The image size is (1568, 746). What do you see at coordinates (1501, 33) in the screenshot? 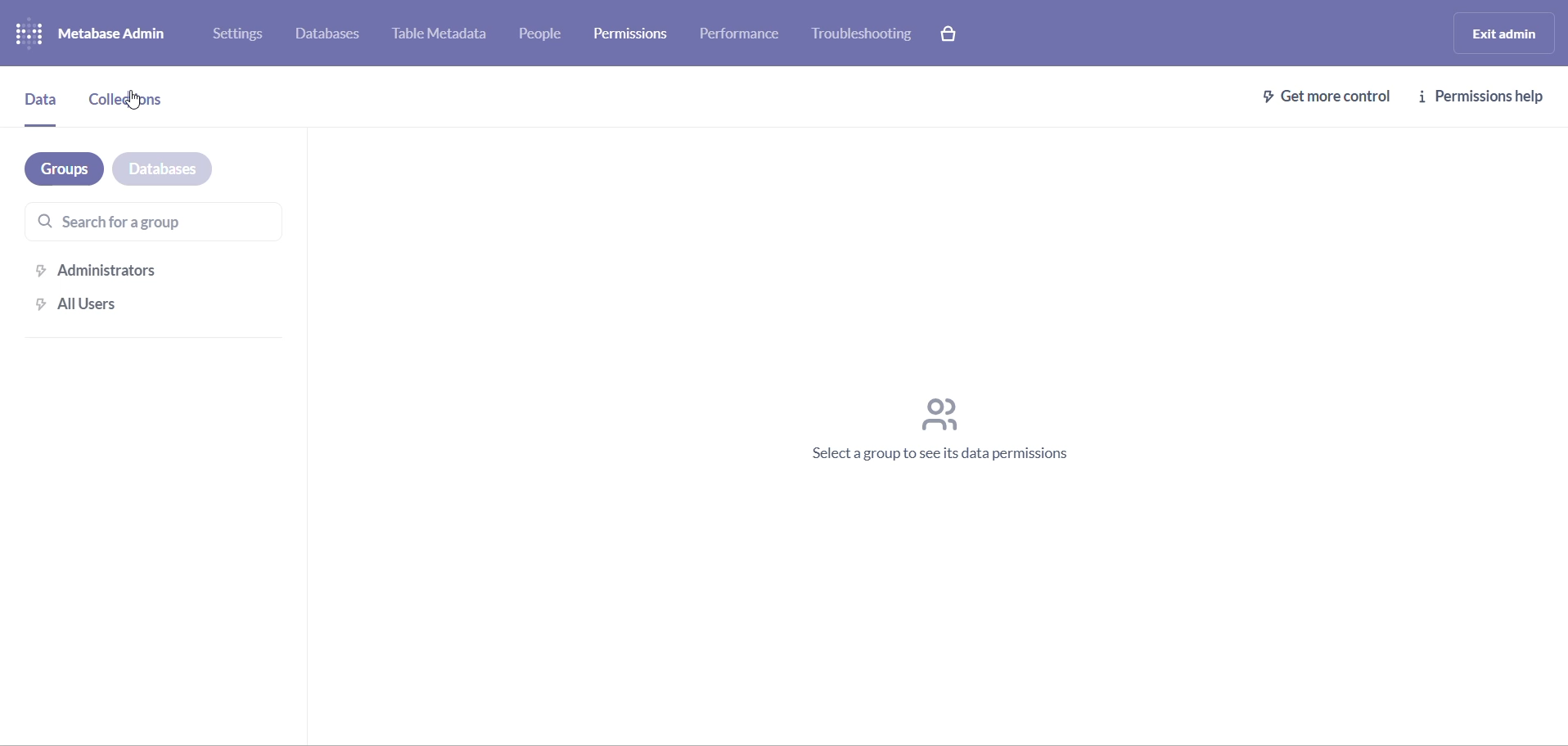
I see `exit admin` at bounding box center [1501, 33].